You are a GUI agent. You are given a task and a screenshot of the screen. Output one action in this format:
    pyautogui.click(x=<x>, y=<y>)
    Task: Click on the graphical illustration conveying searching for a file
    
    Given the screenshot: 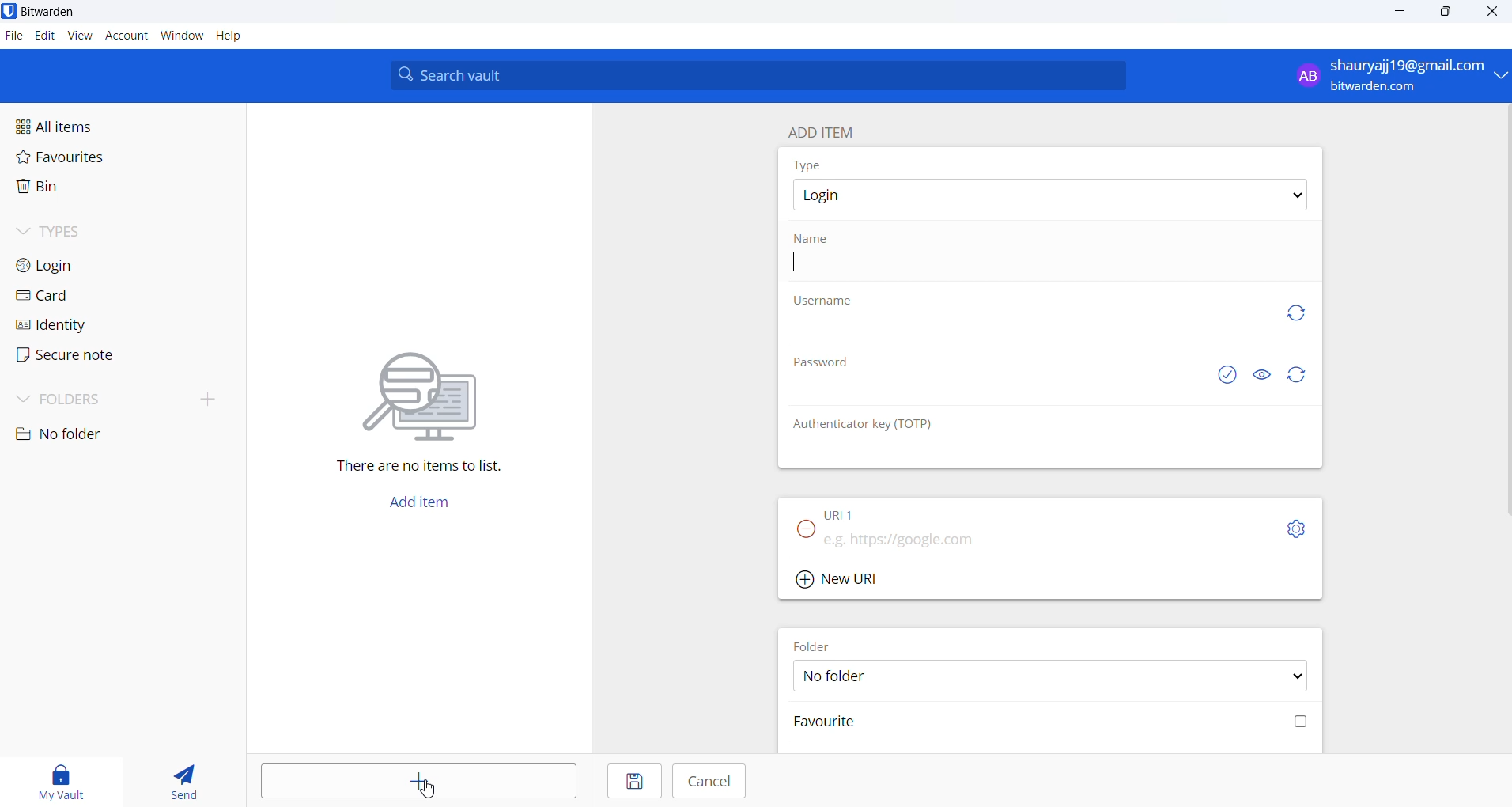 What is the action you would take?
    pyautogui.click(x=435, y=393)
    